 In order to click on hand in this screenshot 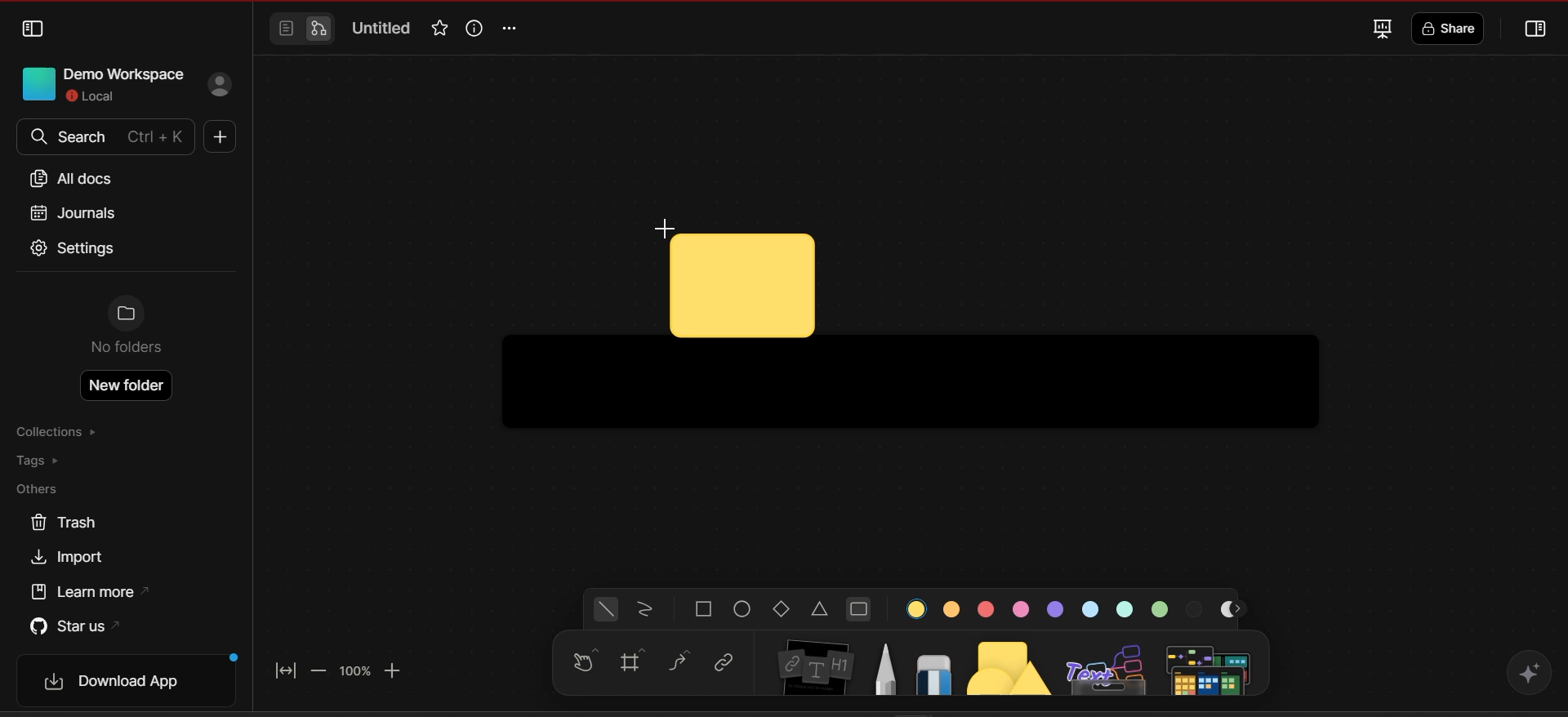, I will do `click(581, 664)`.